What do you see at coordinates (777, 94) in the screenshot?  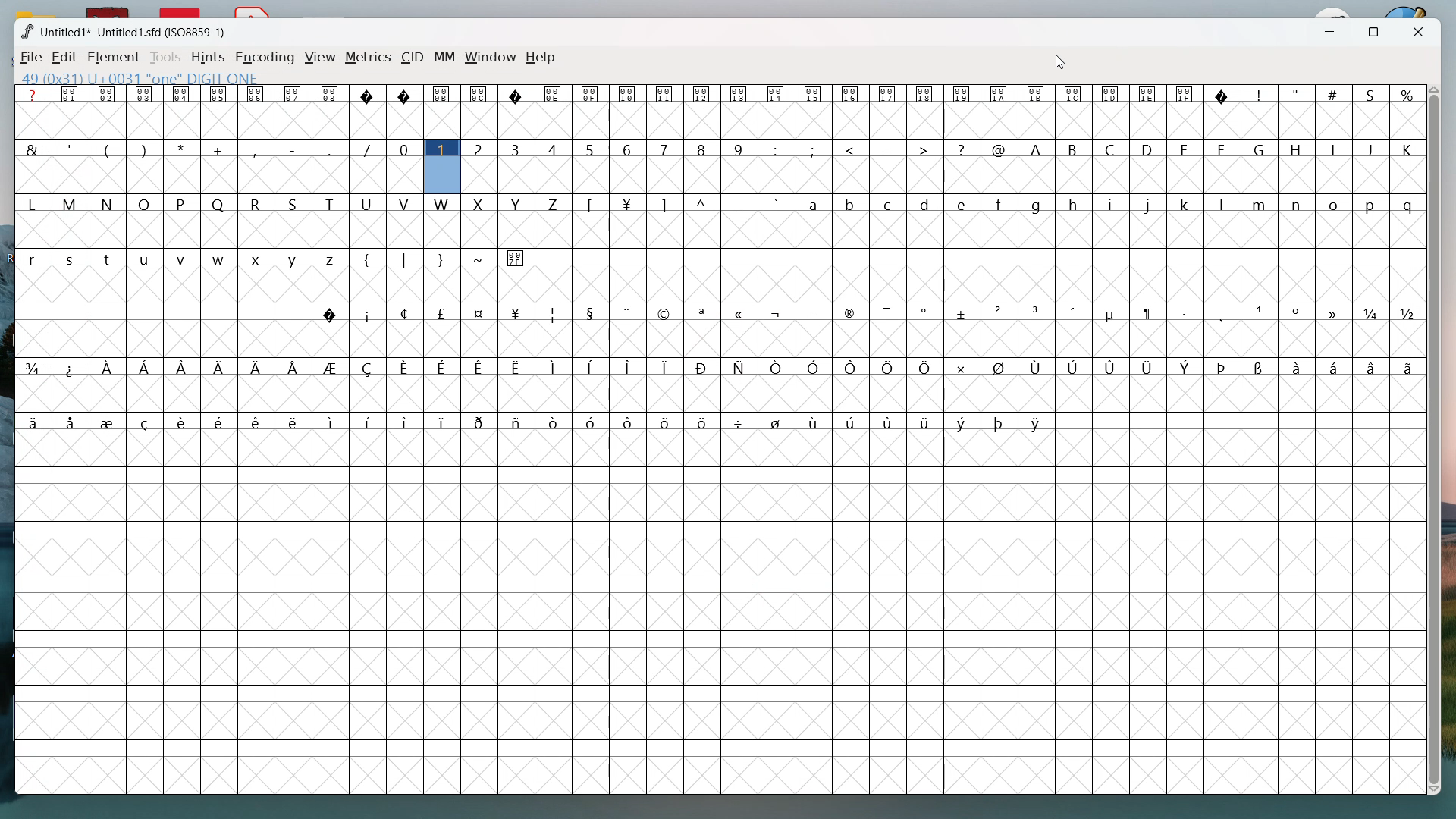 I see `symbol` at bounding box center [777, 94].